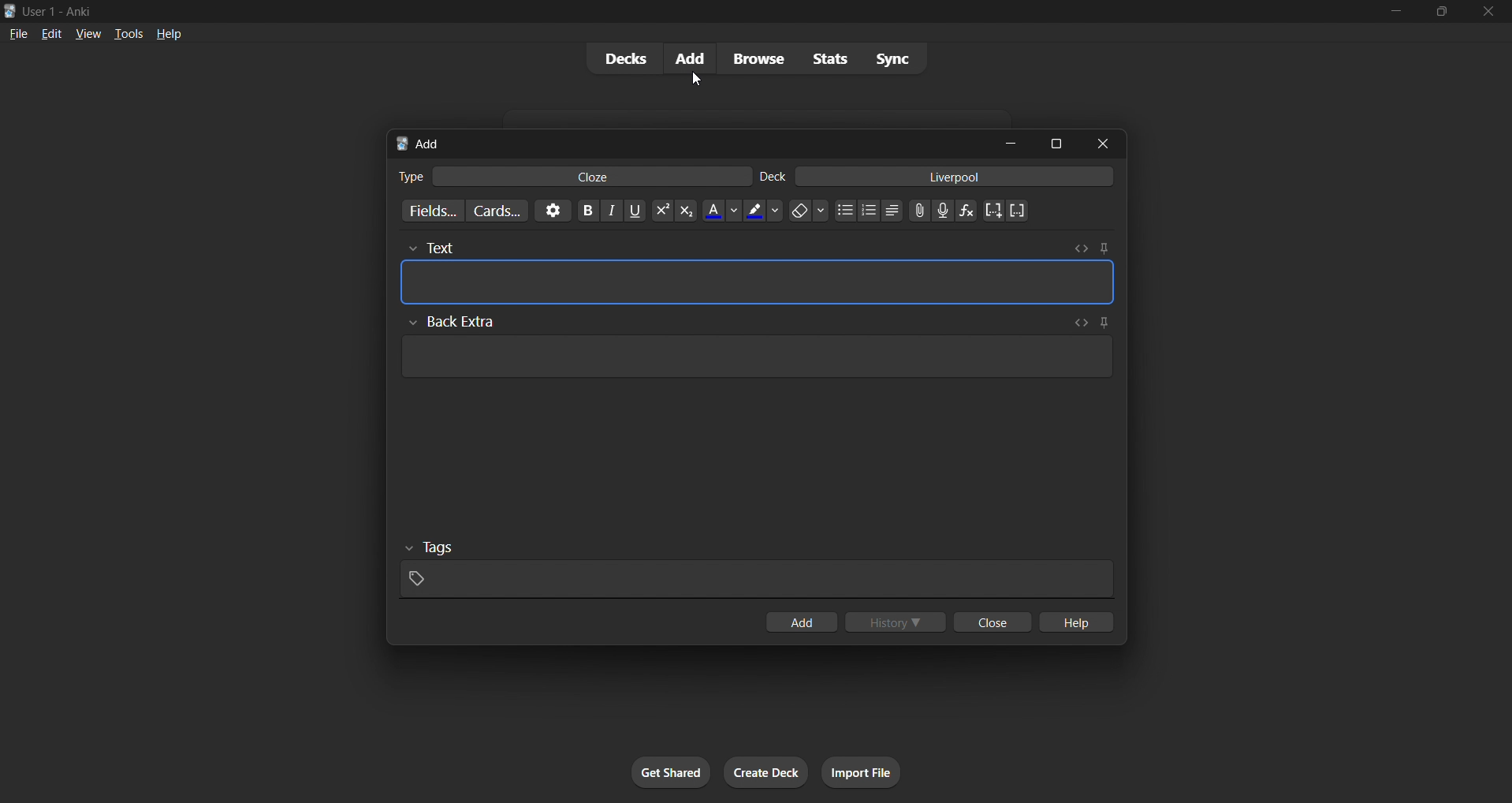  Describe the element at coordinates (172, 37) in the screenshot. I see `help` at that location.